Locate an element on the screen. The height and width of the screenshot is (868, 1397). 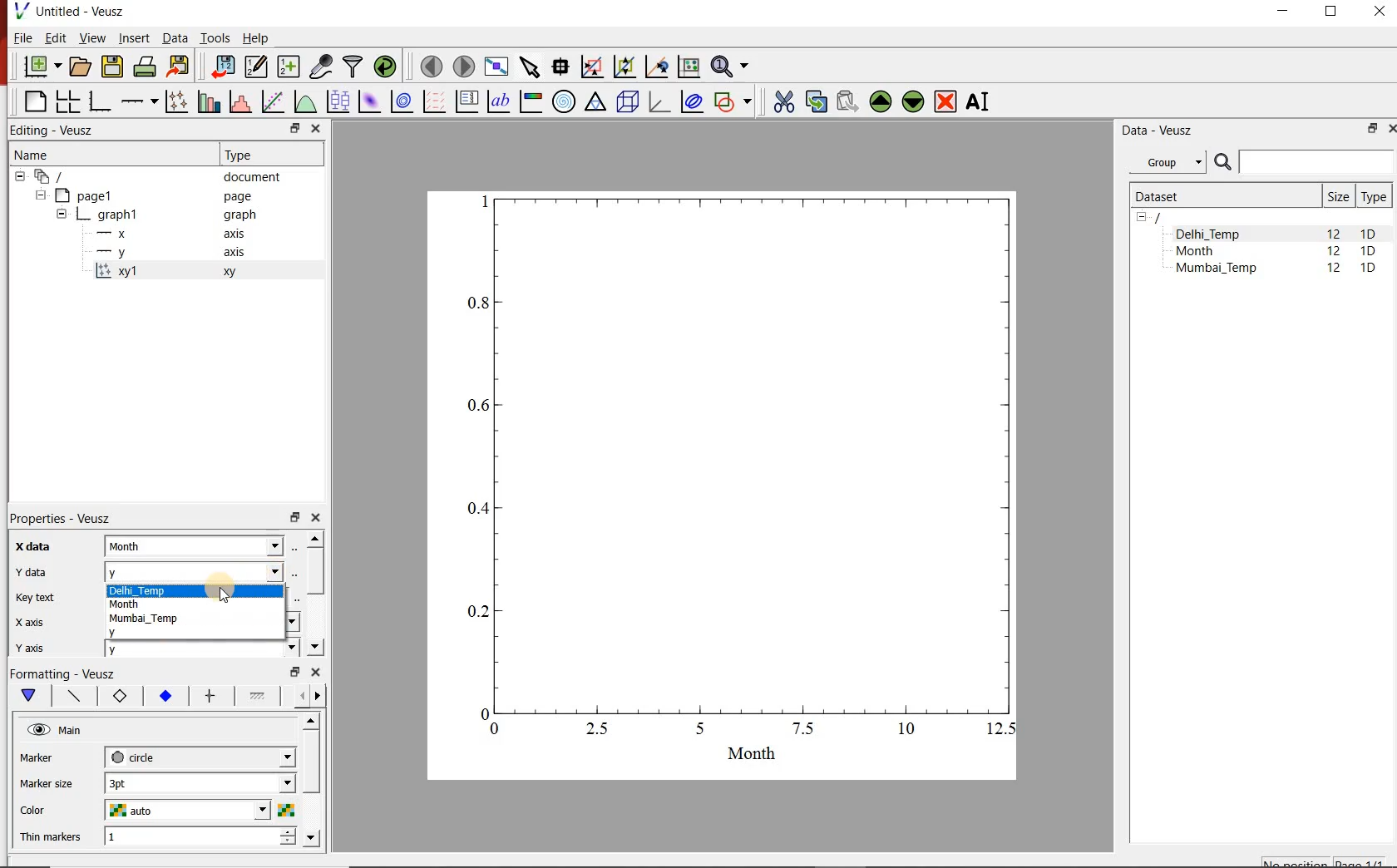
Minor ticks is located at coordinates (259, 696).